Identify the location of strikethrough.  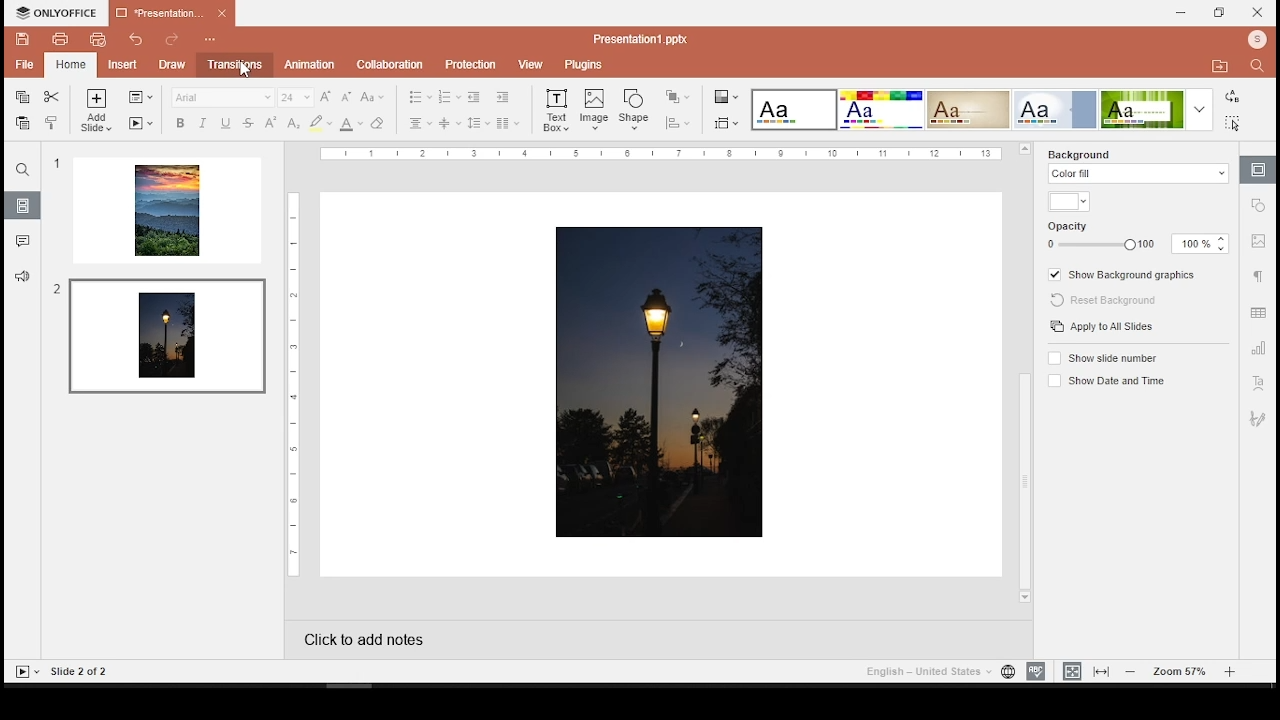
(248, 124).